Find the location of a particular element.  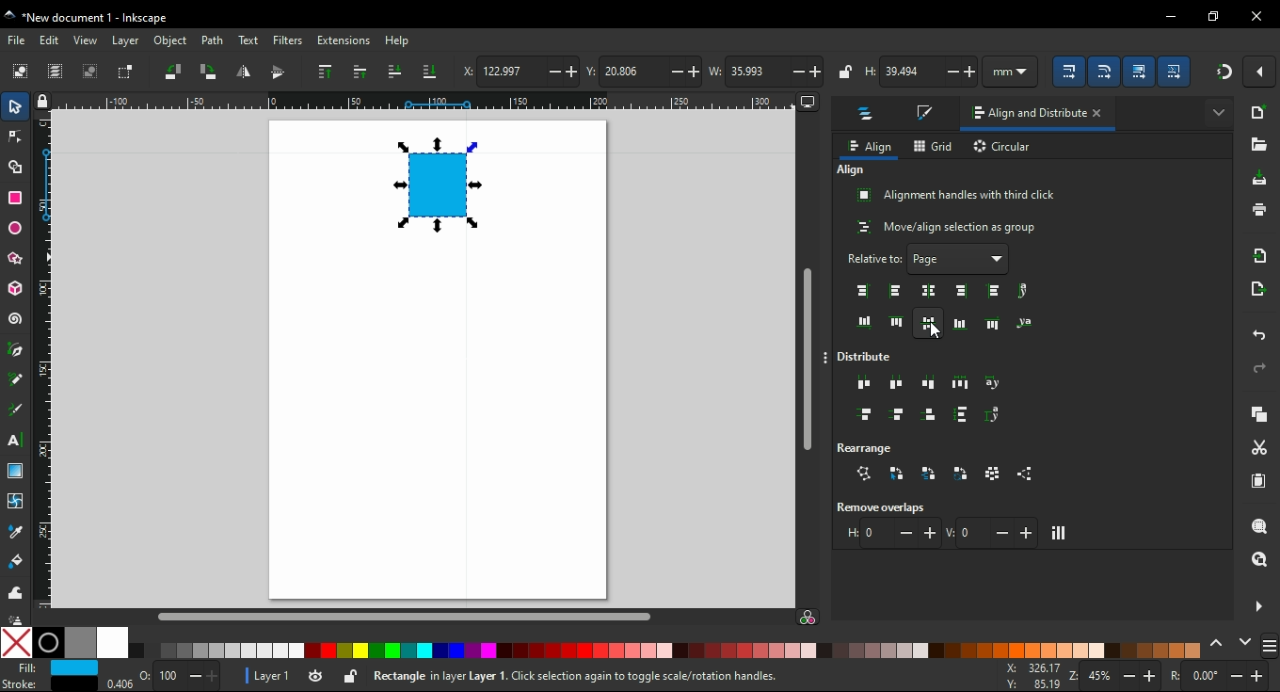

redo is located at coordinates (1260, 368).